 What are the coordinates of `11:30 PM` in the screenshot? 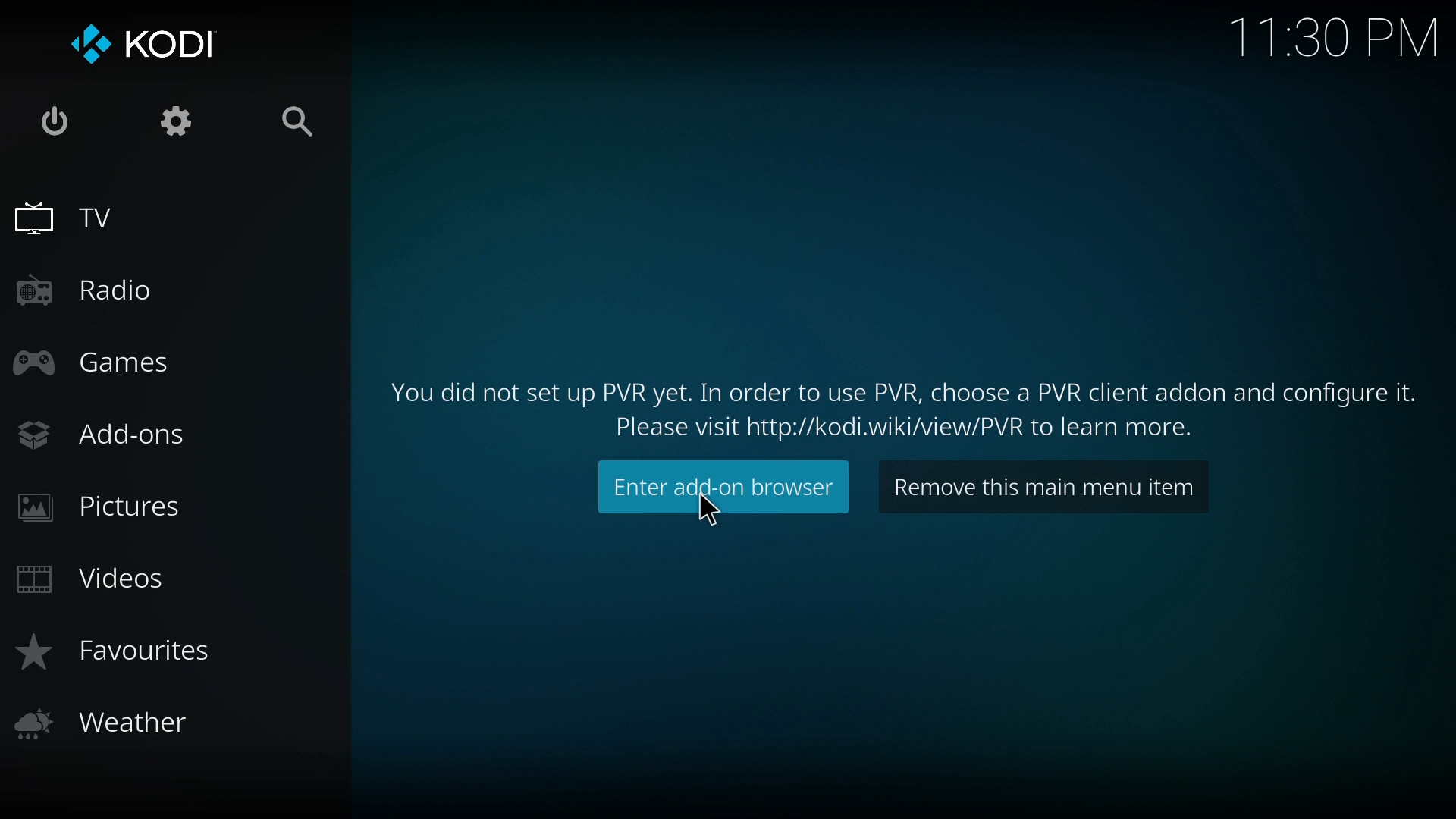 It's located at (1330, 39).